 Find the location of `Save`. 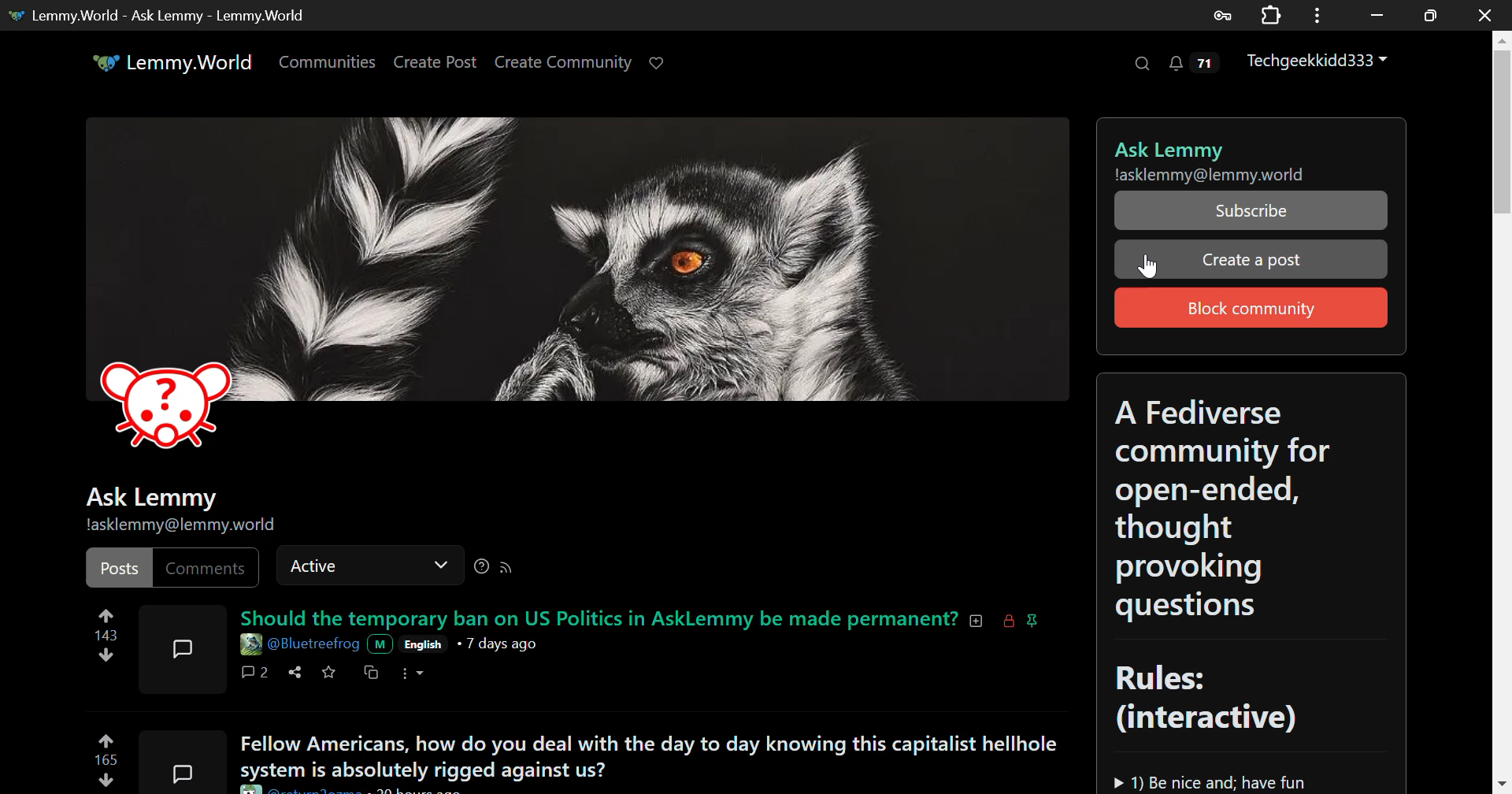

Save is located at coordinates (328, 673).